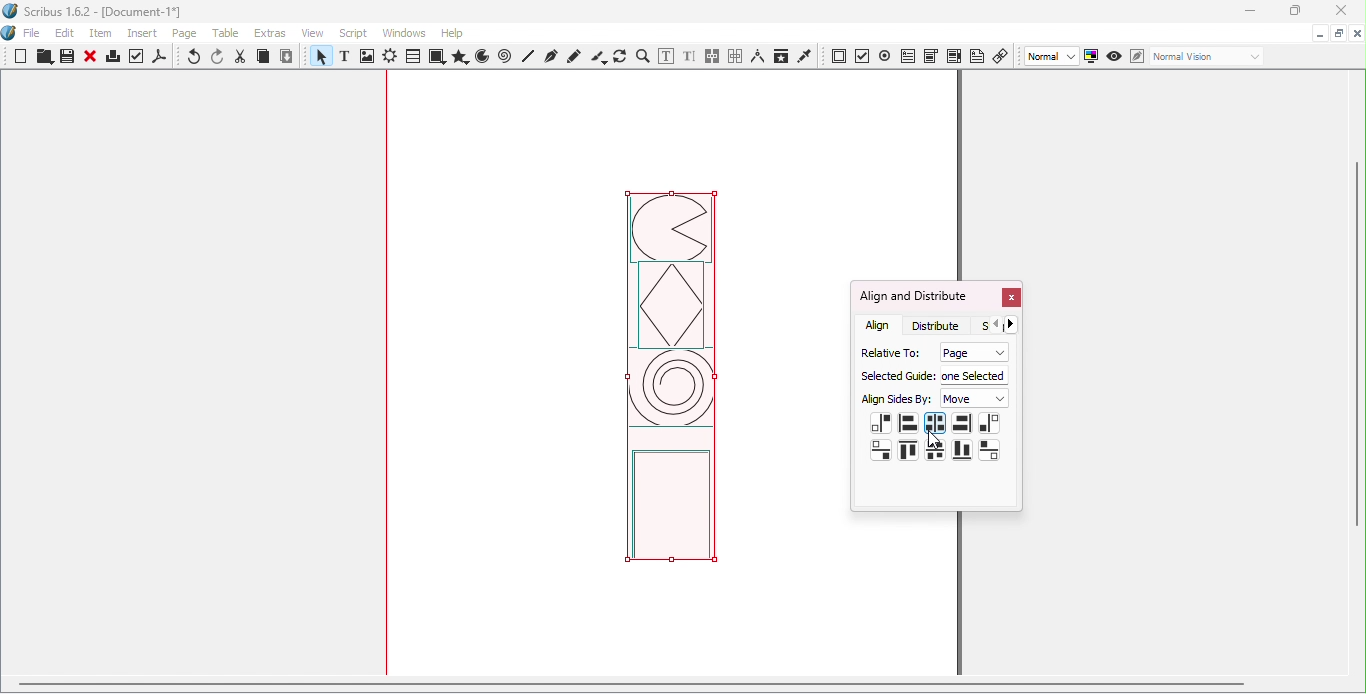 This screenshot has width=1366, height=694. Describe the element at coordinates (1358, 375) in the screenshot. I see `Vertical scroll bar` at that location.